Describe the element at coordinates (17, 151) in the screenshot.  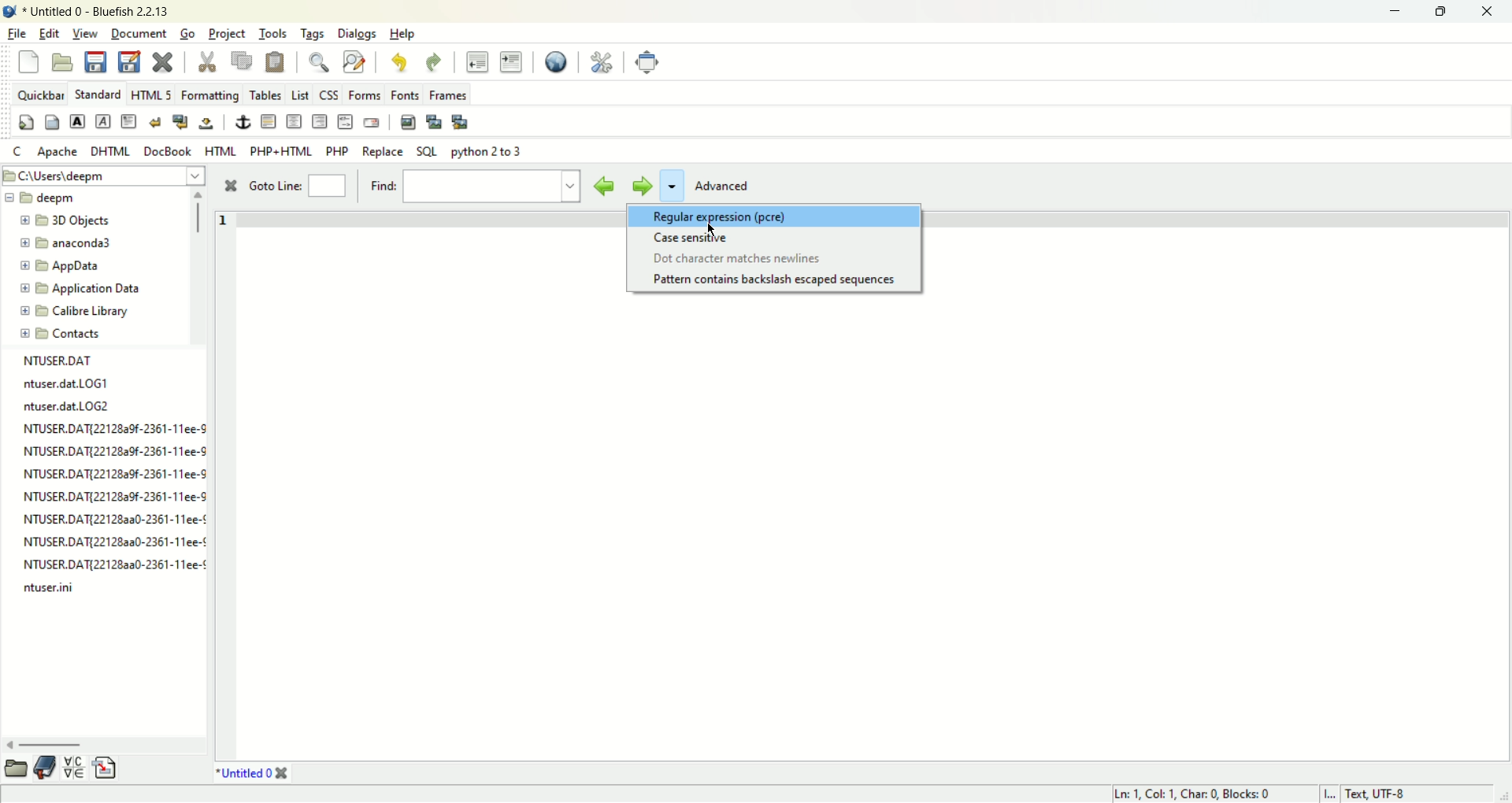
I see `C` at that location.